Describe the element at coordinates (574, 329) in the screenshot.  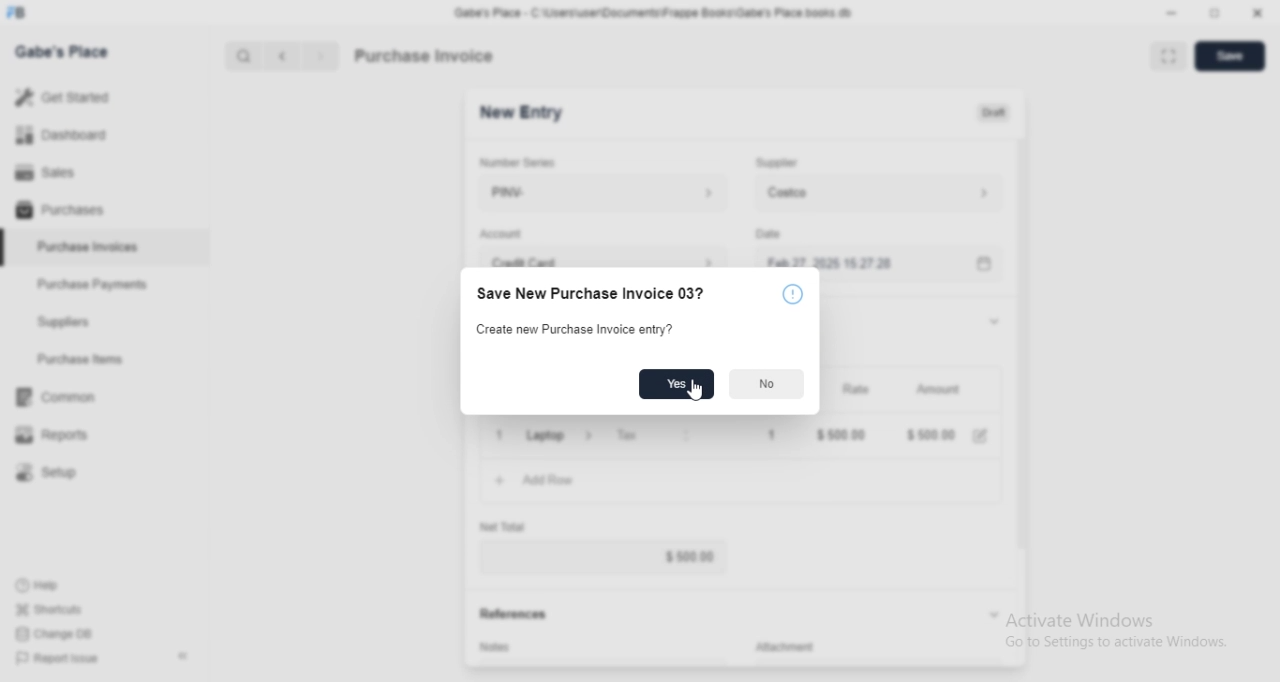
I see `Create new Purchase Invoice entry?` at that location.